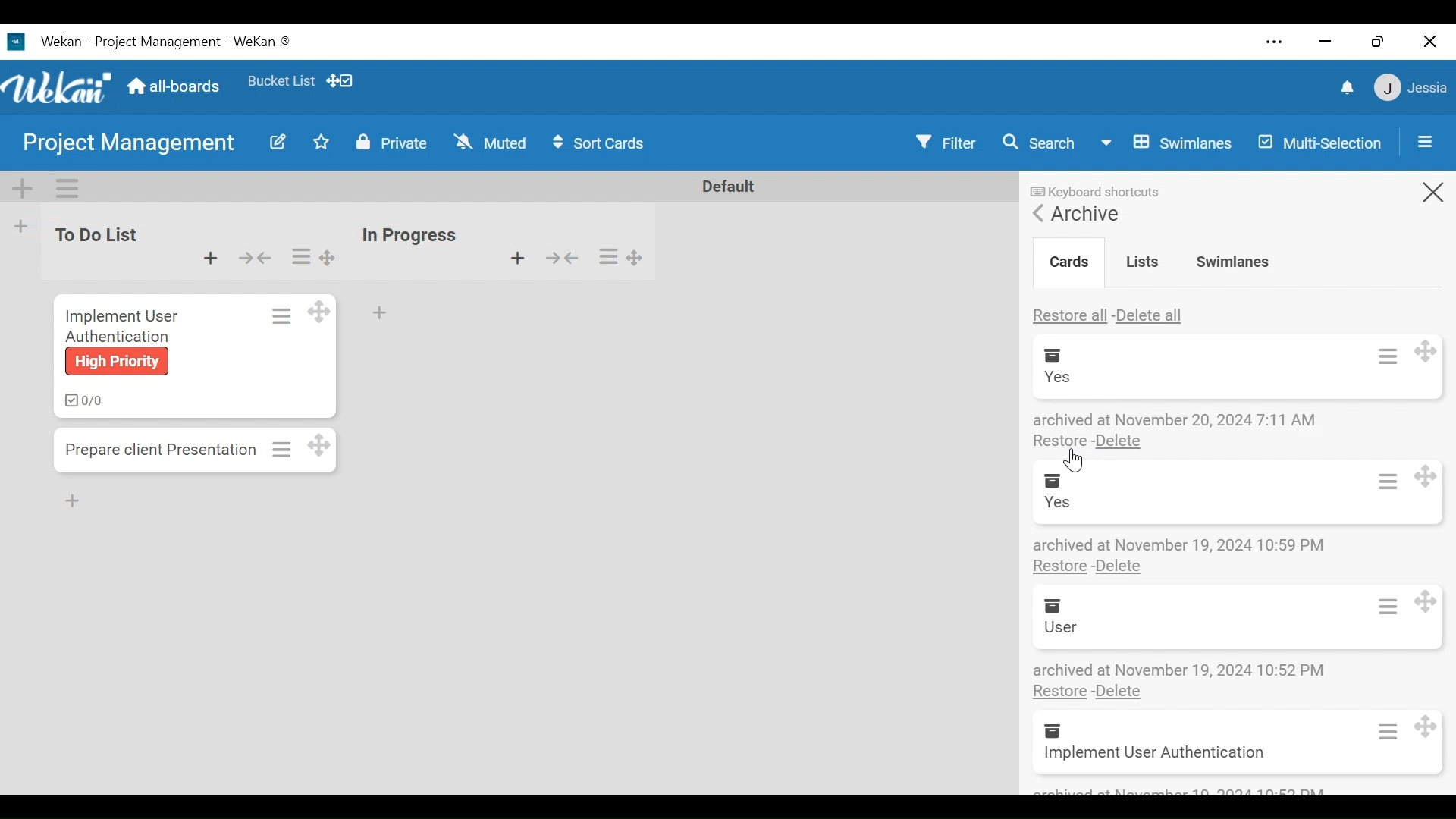  Describe the element at coordinates (340, 80) in the screenshot. I see `show/hide Desktop drag handles` at that location.